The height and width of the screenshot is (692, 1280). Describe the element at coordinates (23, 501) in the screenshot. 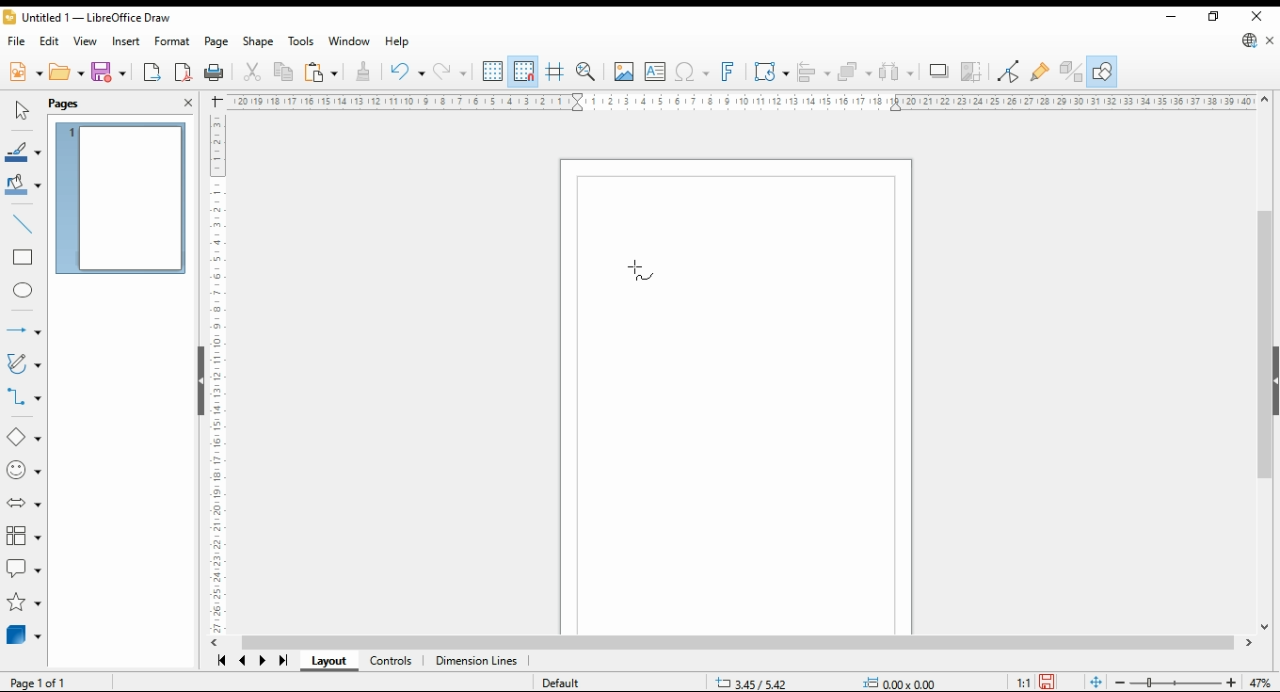

I see `block arrows` at that location.